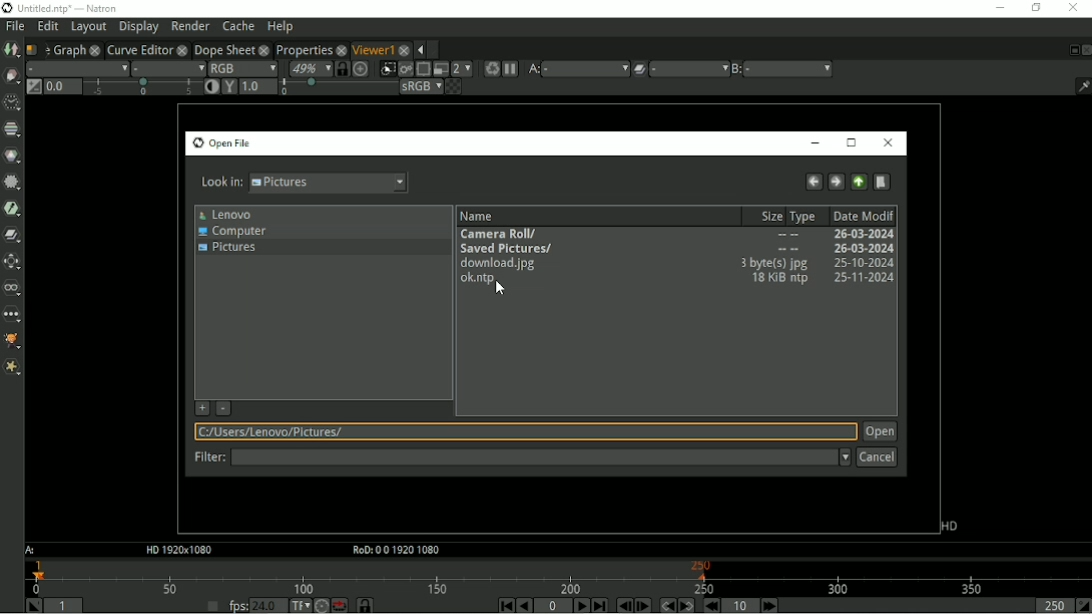  Describe the element at coordinates (770, 605) in the screenshot. I see `Next increment` at that location.